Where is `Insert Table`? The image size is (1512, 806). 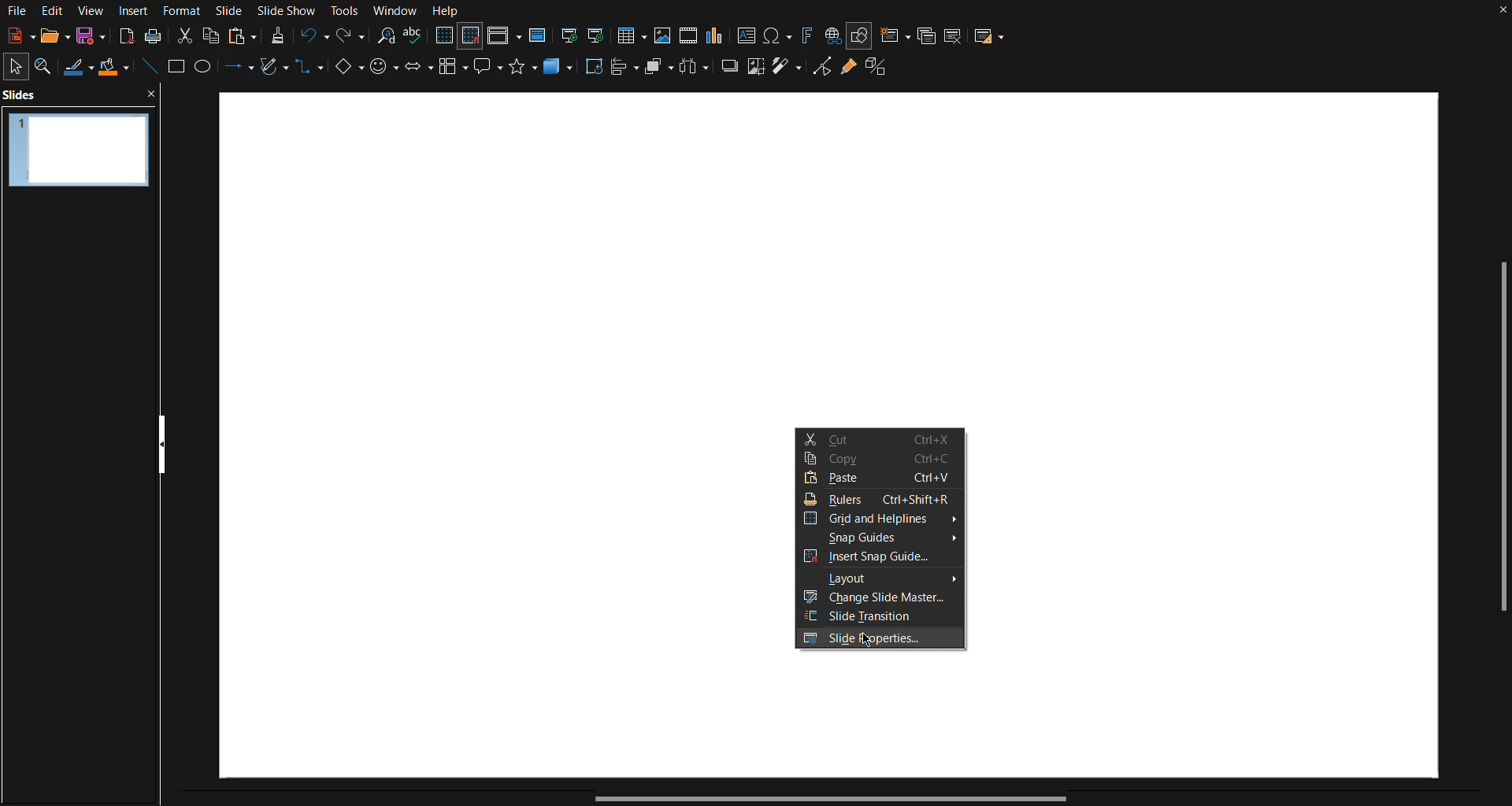 Insert Table is located at coordinates (636, 34).